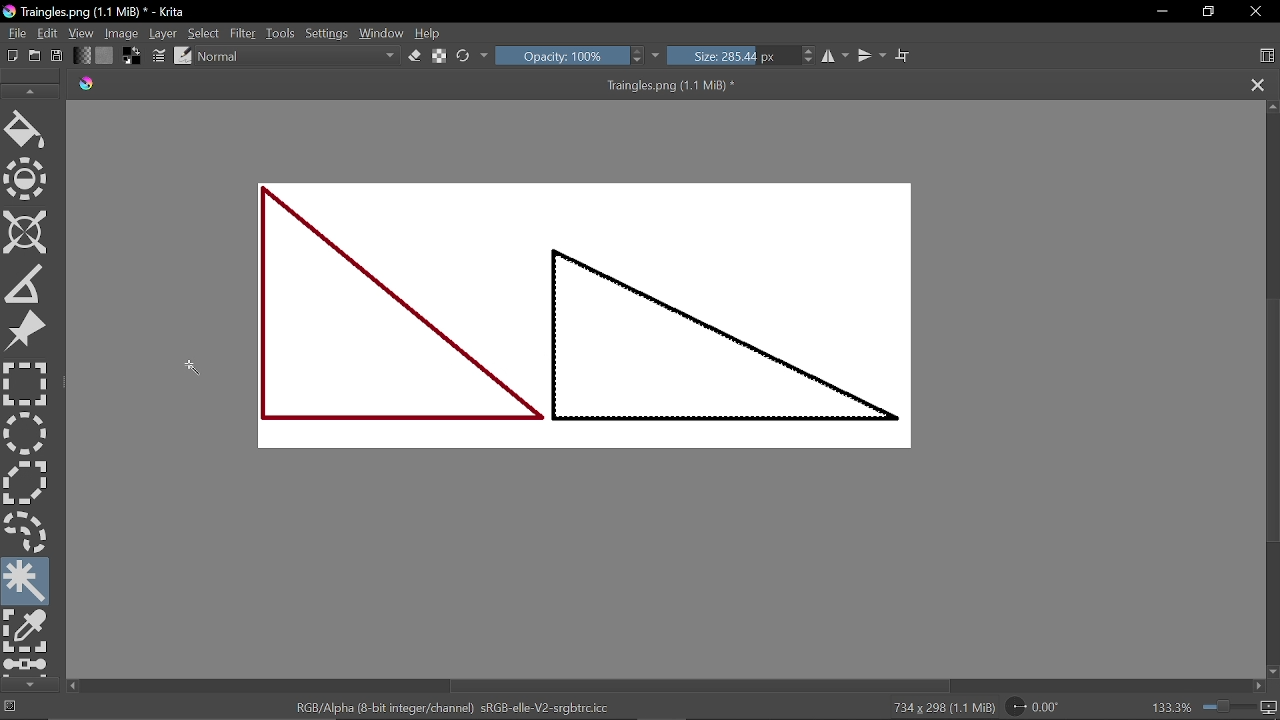 This screenshot has height=720, width=1280. What do you see at coordinates (447, 708) in the screenshot?
I see `RGB` at bounding box center [447, 708].